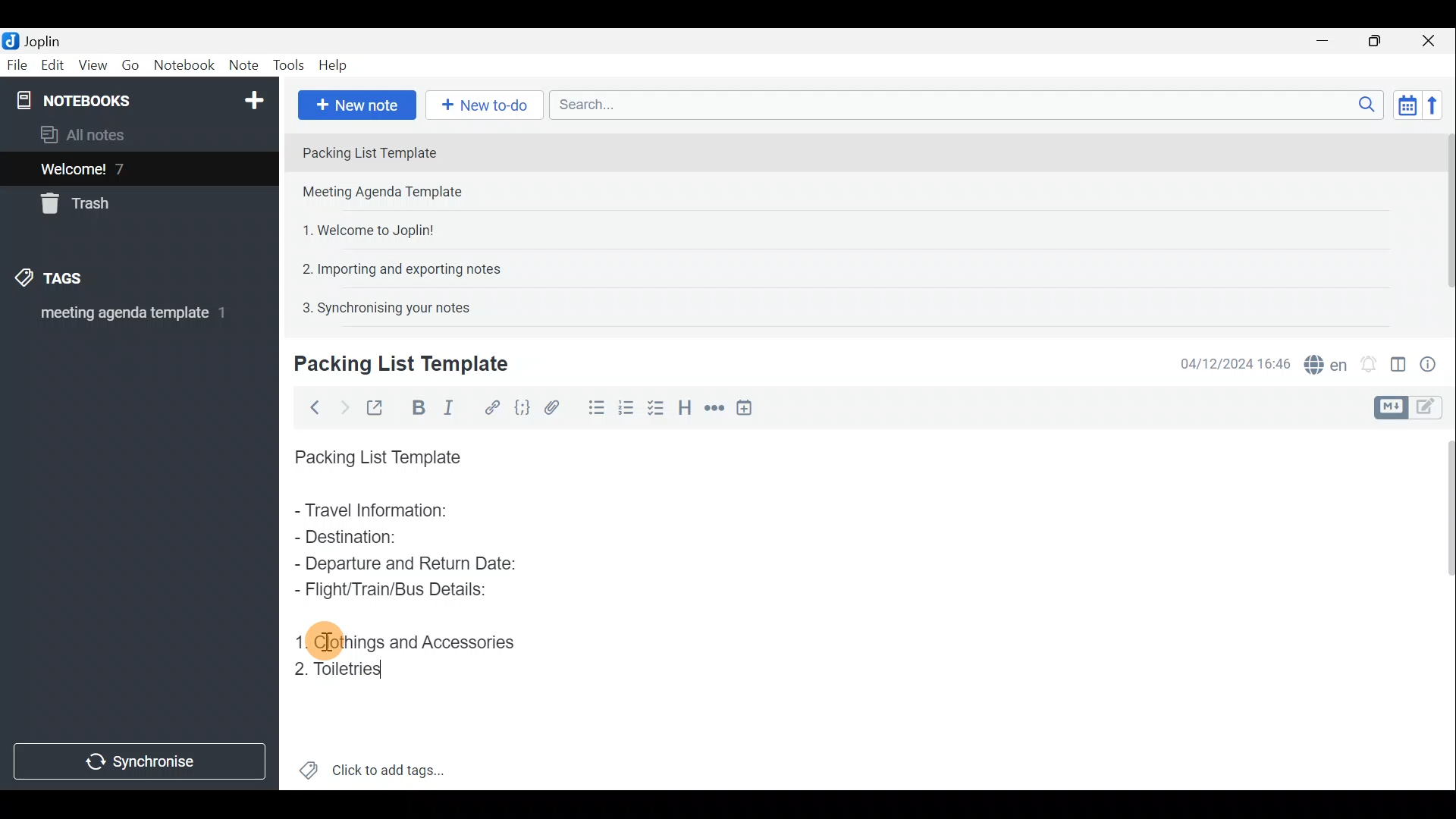  Describe the element at coordinates (1438, 104) in the screenshot. I see `Reverse sort order` at that location.